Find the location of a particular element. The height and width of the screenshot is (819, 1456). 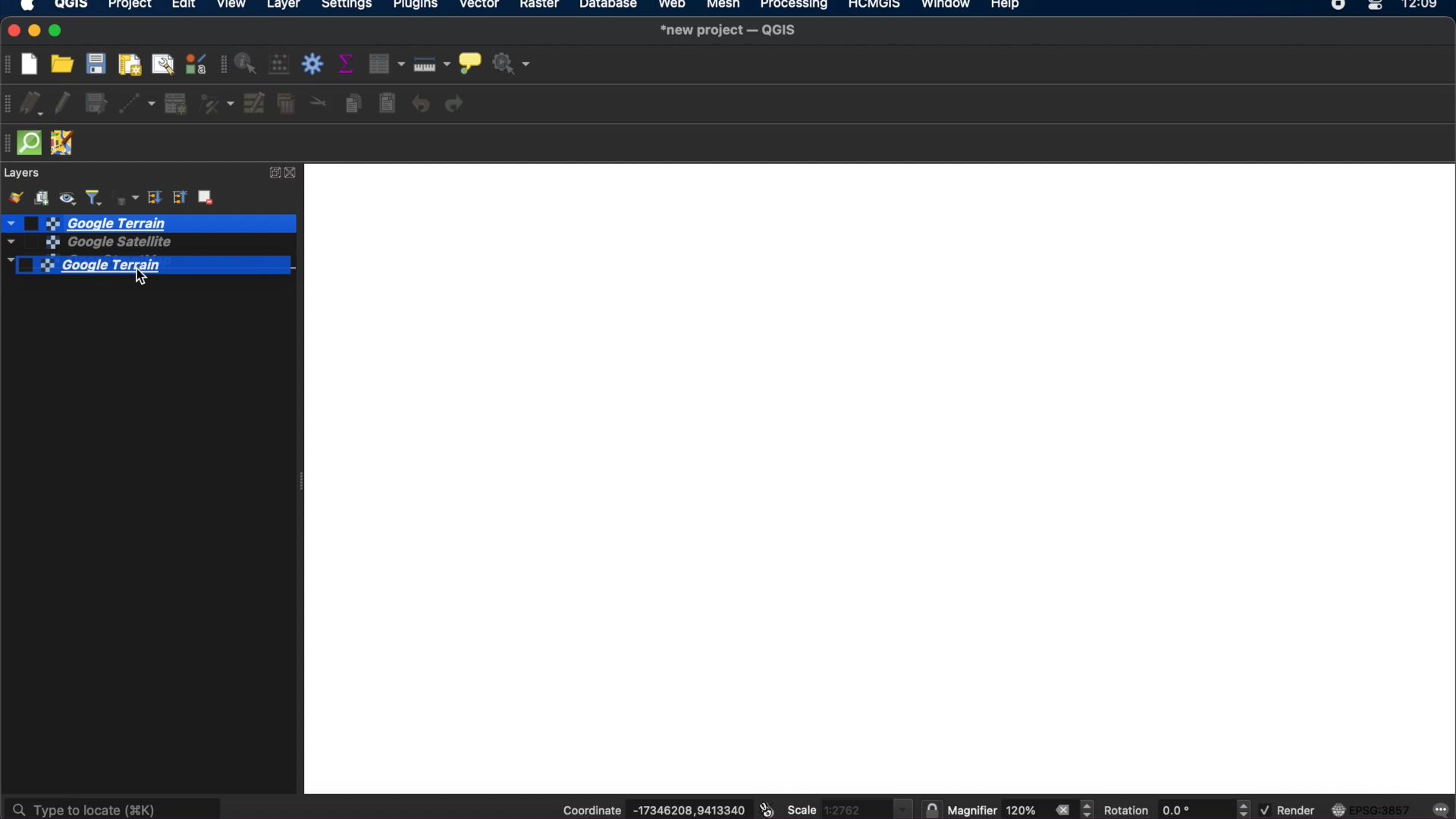

mesh is located at coordinates (722, 6).